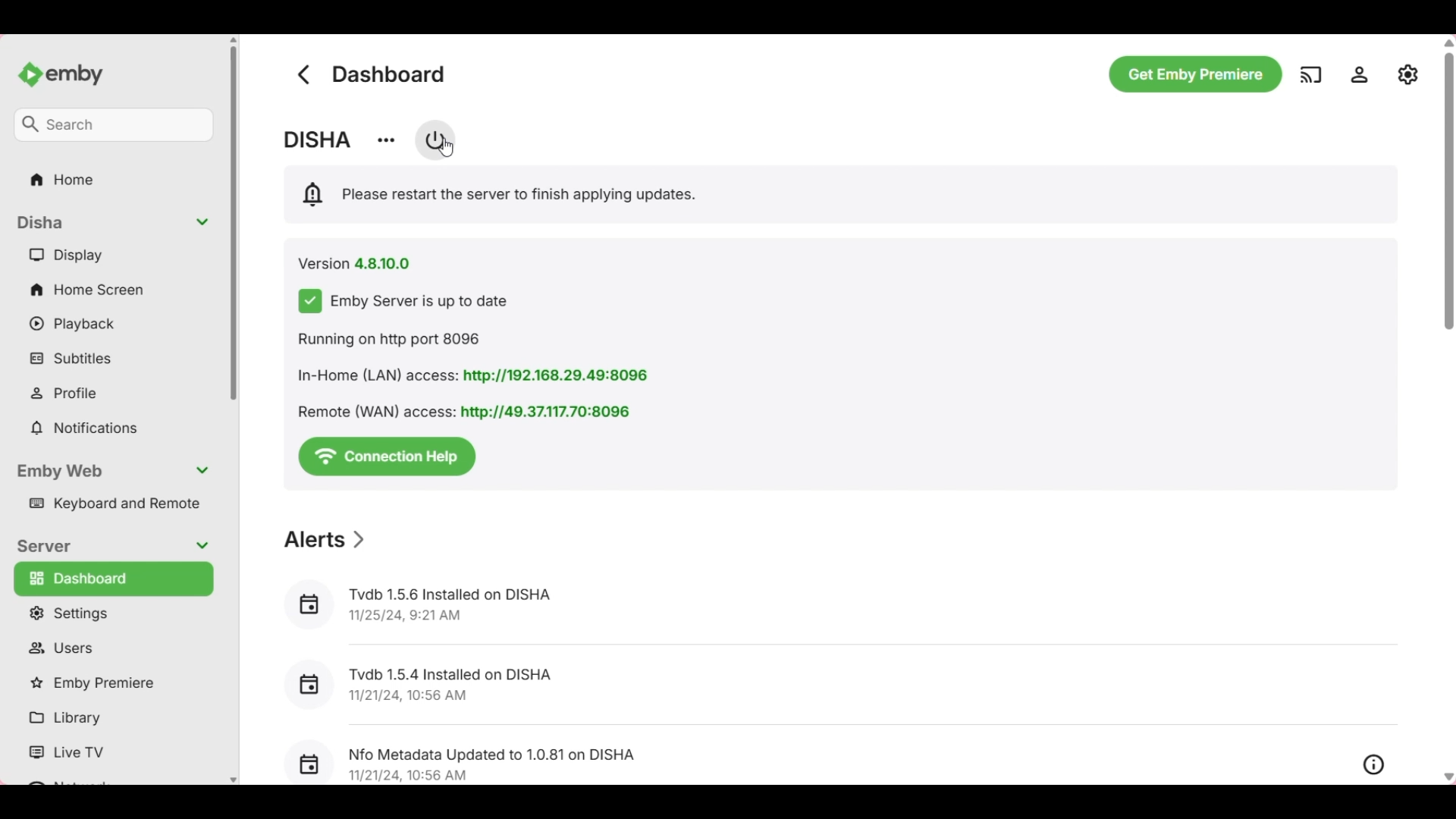 This screenshot has height=819, width=1456. What do you see at coordinates (403, 301) in the screenshot?
I see `Indicates server is up-to-date` at bounding box center [403, 301].